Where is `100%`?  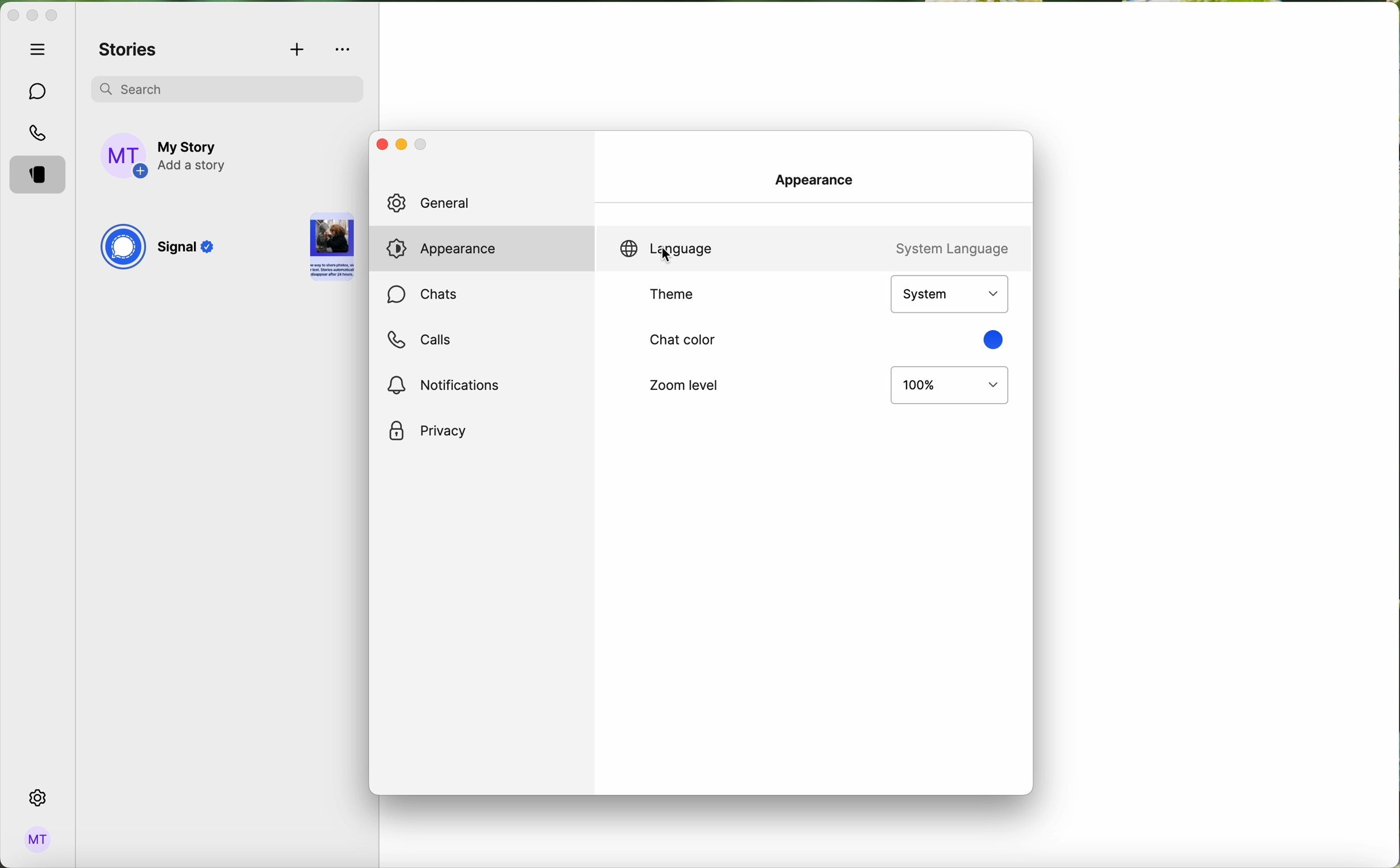 100% is located at coordinates (950, 386).